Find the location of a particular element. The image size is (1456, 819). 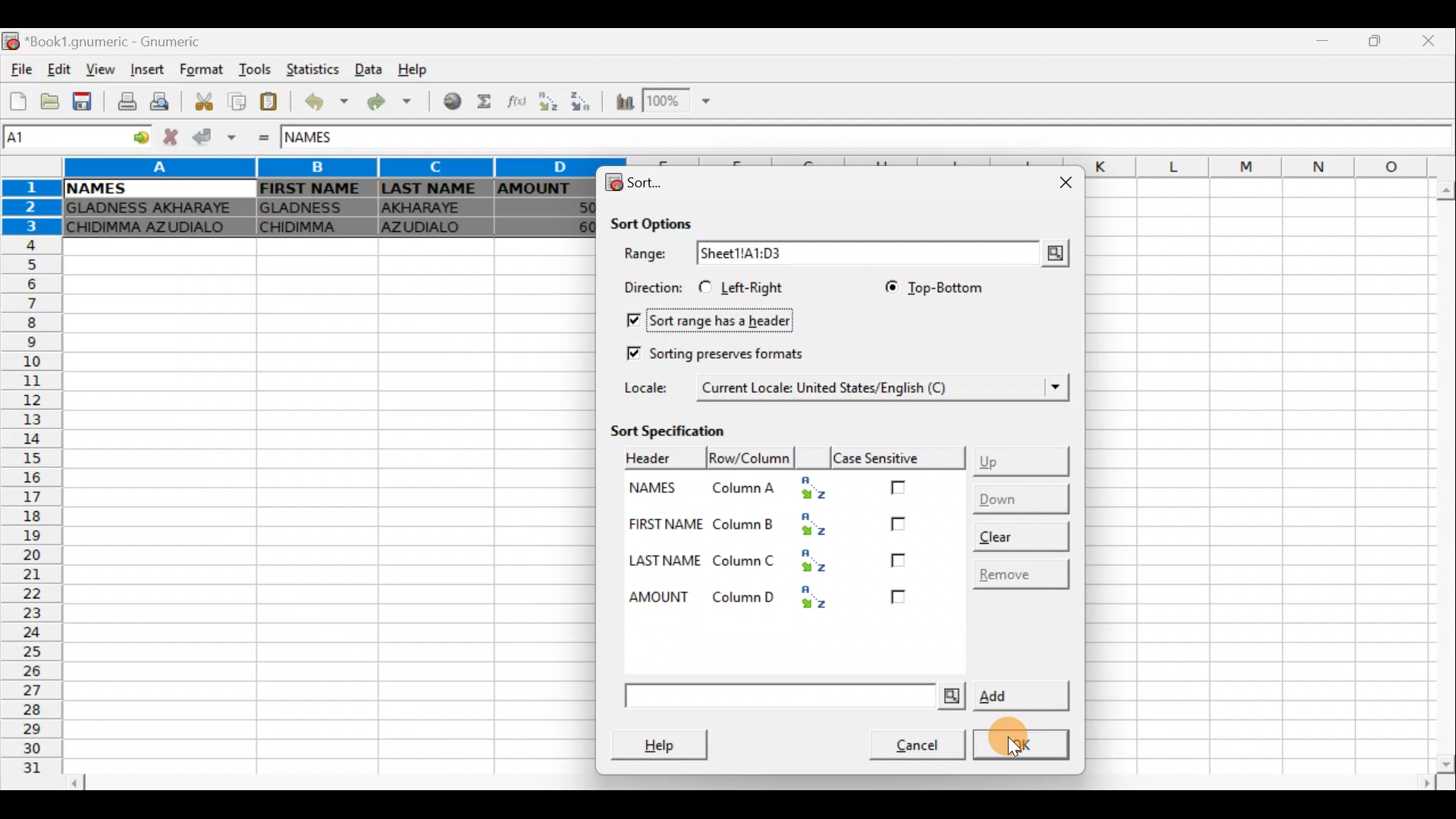

Close is located at coordinates (1434, 41).